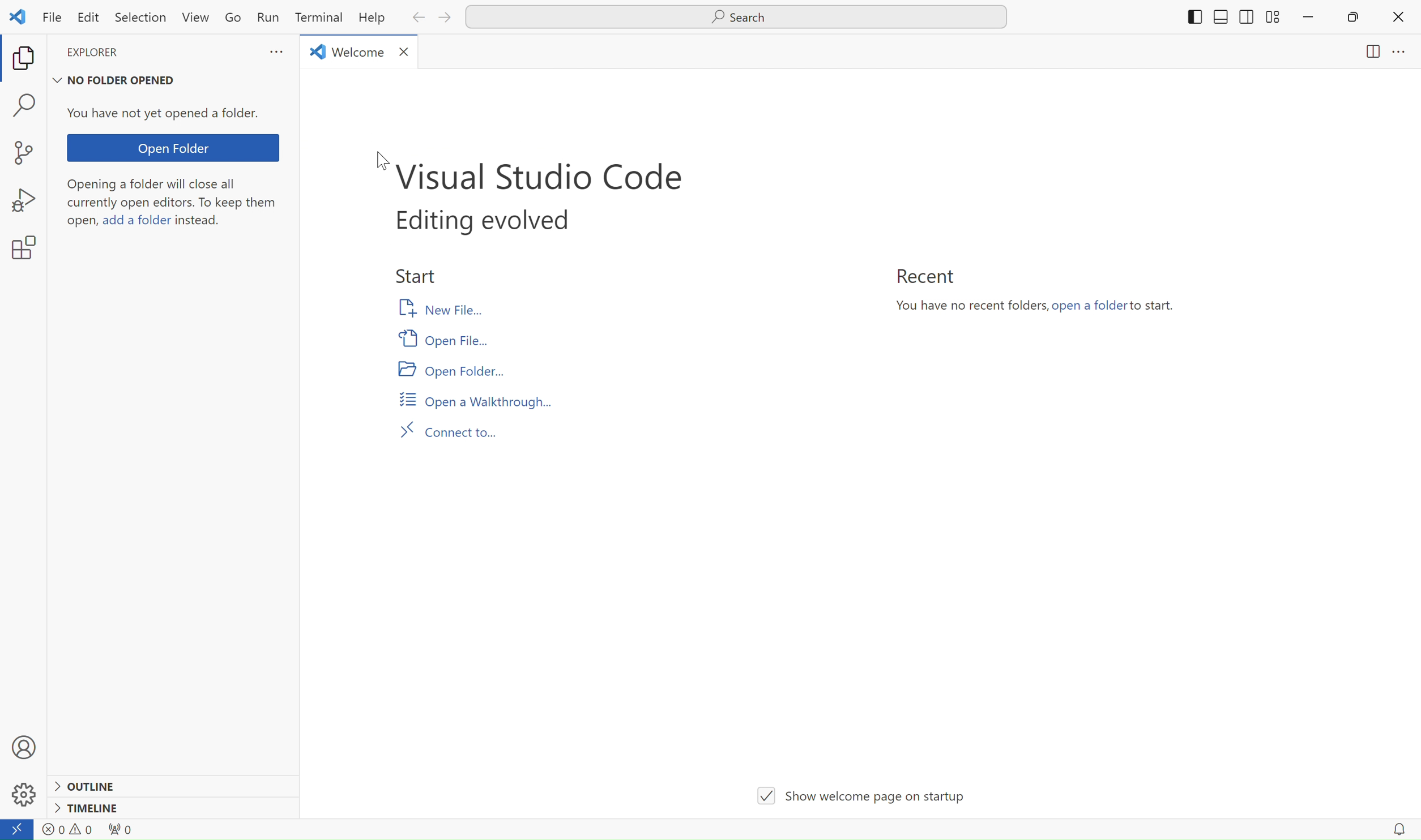 The image size is (1421, 840). Describe the element at coordinates (18, 14) in the screenshot. I see `logo` at that location.